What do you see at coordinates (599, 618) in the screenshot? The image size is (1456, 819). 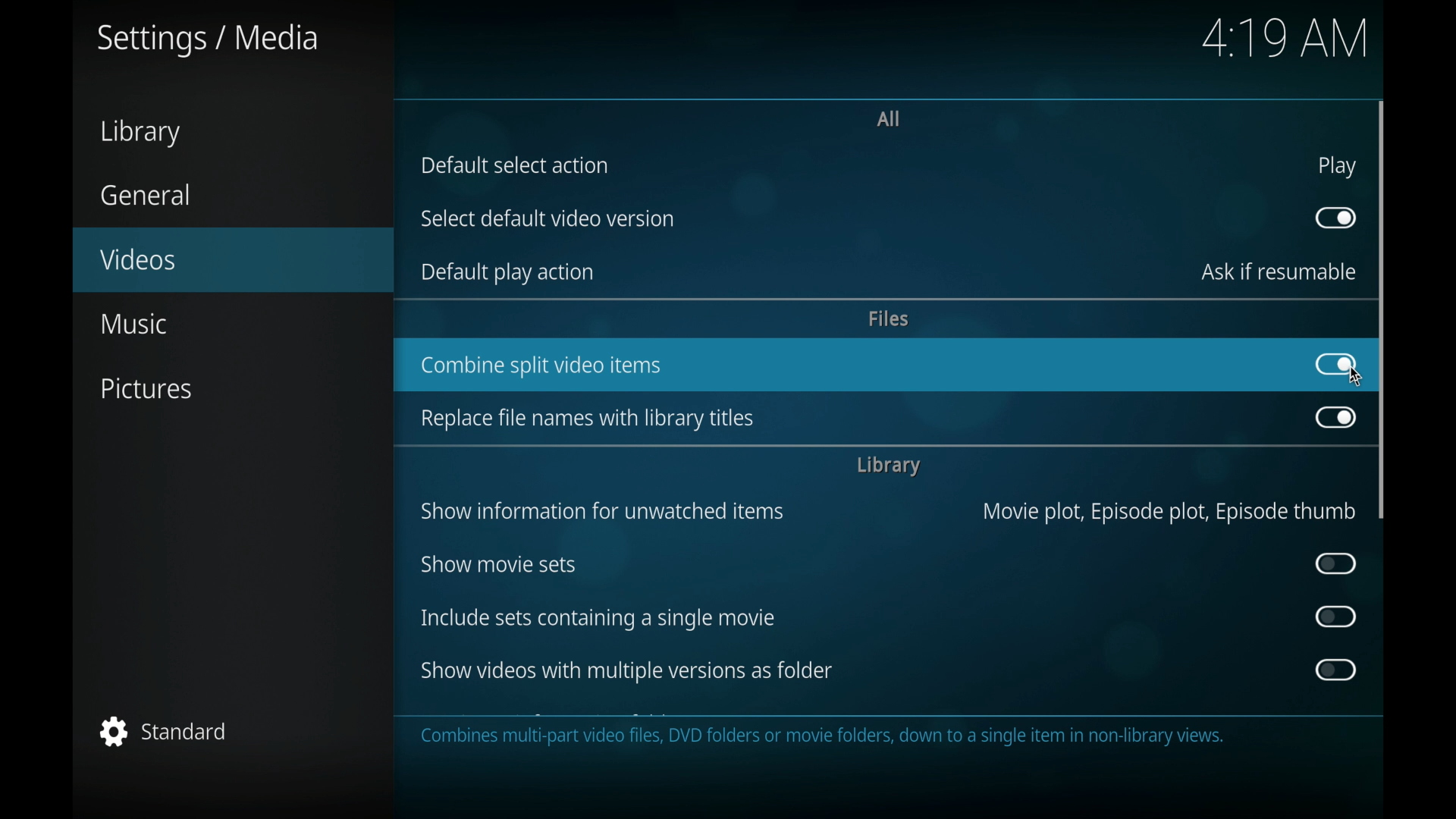 I see `include sets` at bounding box center [599, 618].